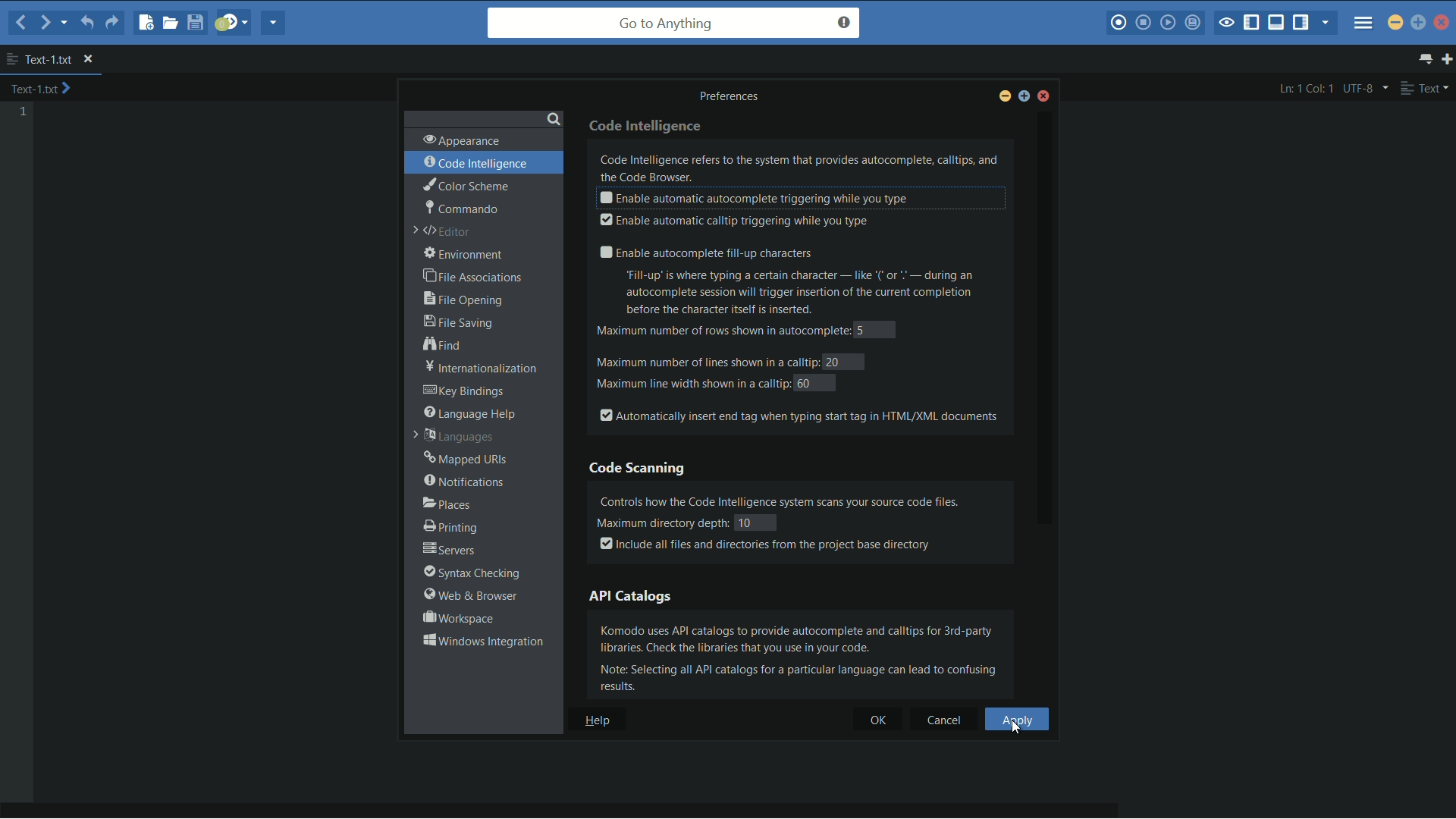 This screenshot has height=819, width=1456. Describe the element at coordinates (1023, 99) in the screenshot. I see `maximize` at that location.